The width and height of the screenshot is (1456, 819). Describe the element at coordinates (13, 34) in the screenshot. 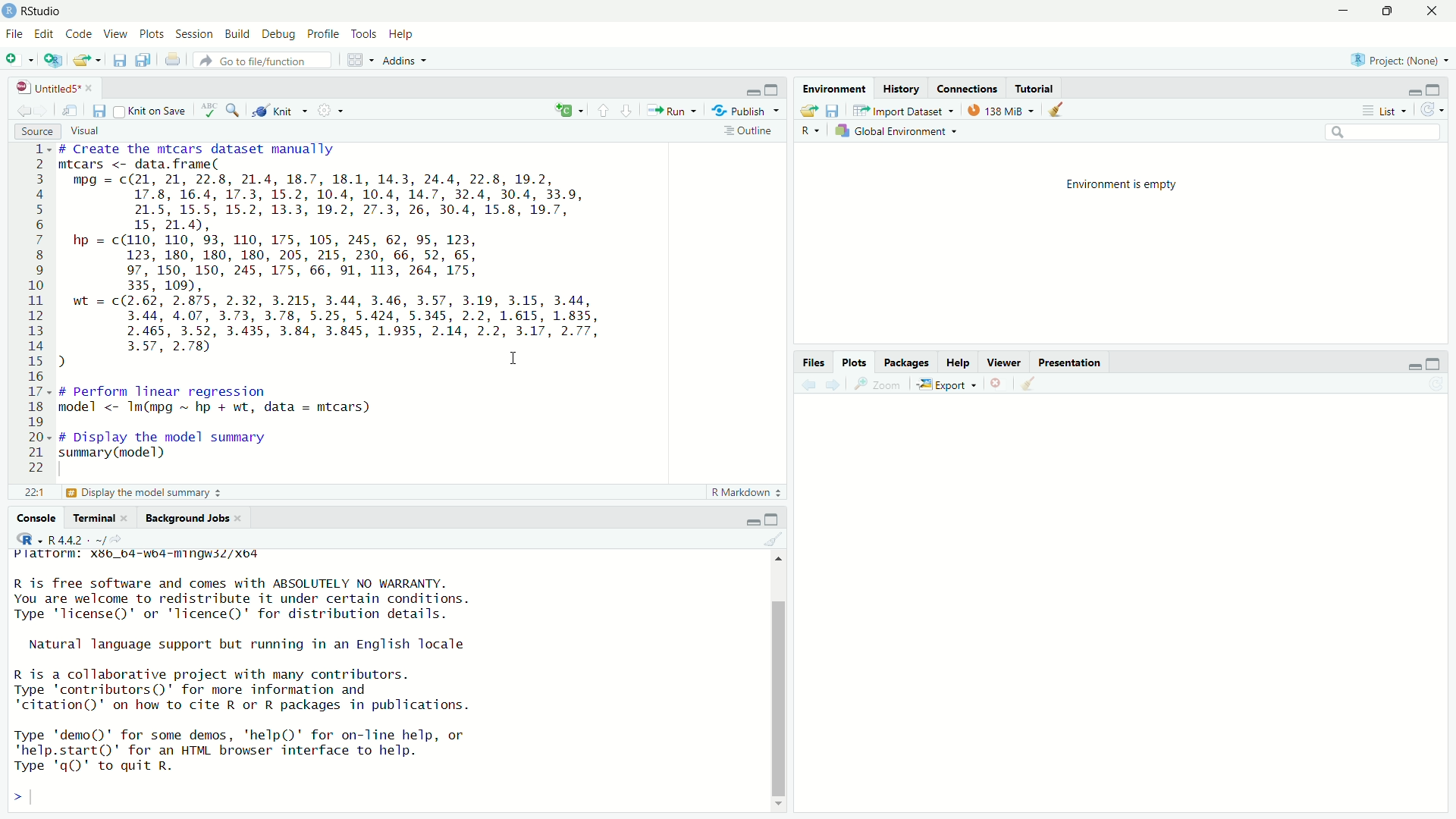

I see `file` at that location.